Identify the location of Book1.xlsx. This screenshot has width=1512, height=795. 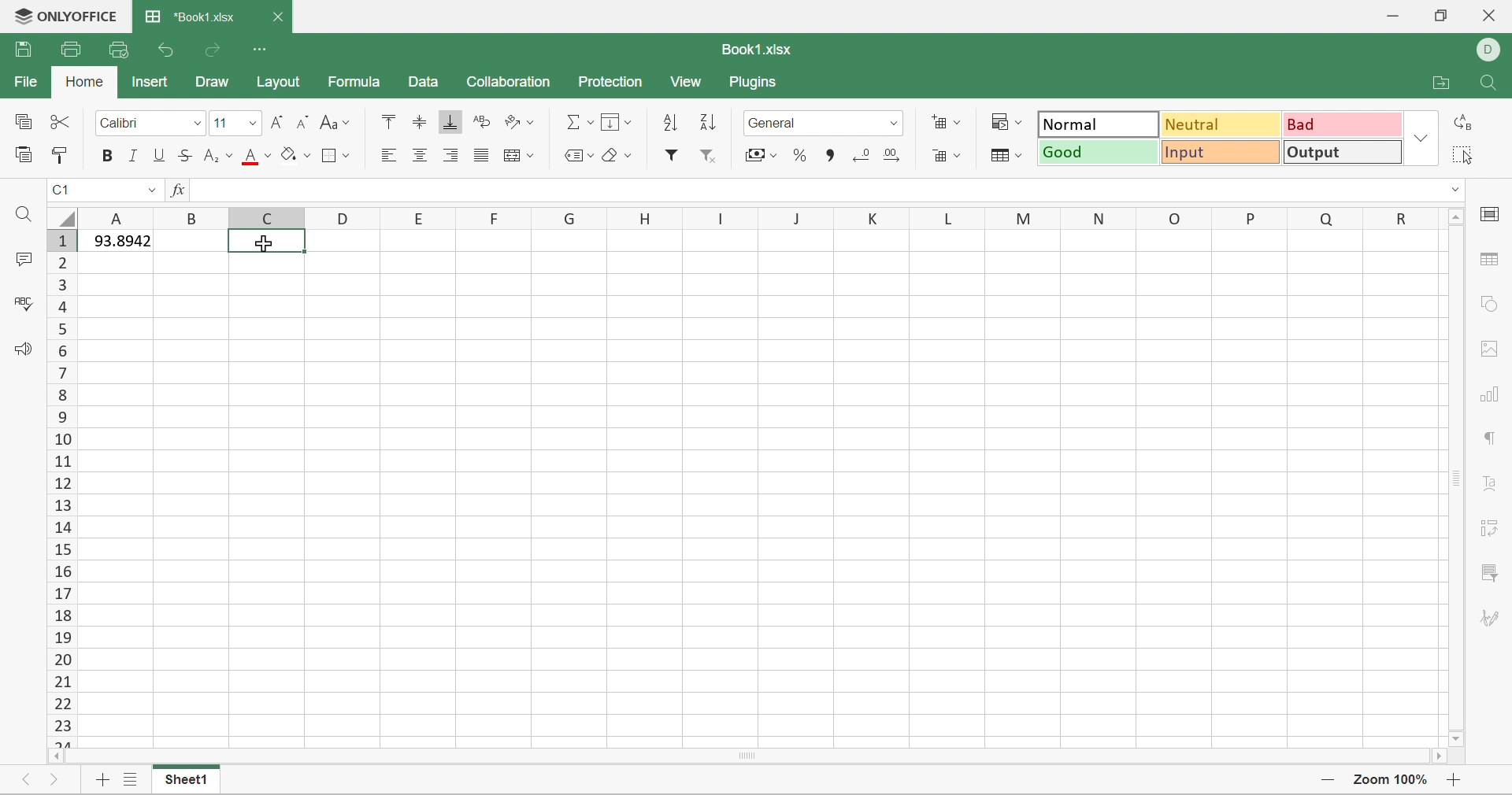
(758, 48).